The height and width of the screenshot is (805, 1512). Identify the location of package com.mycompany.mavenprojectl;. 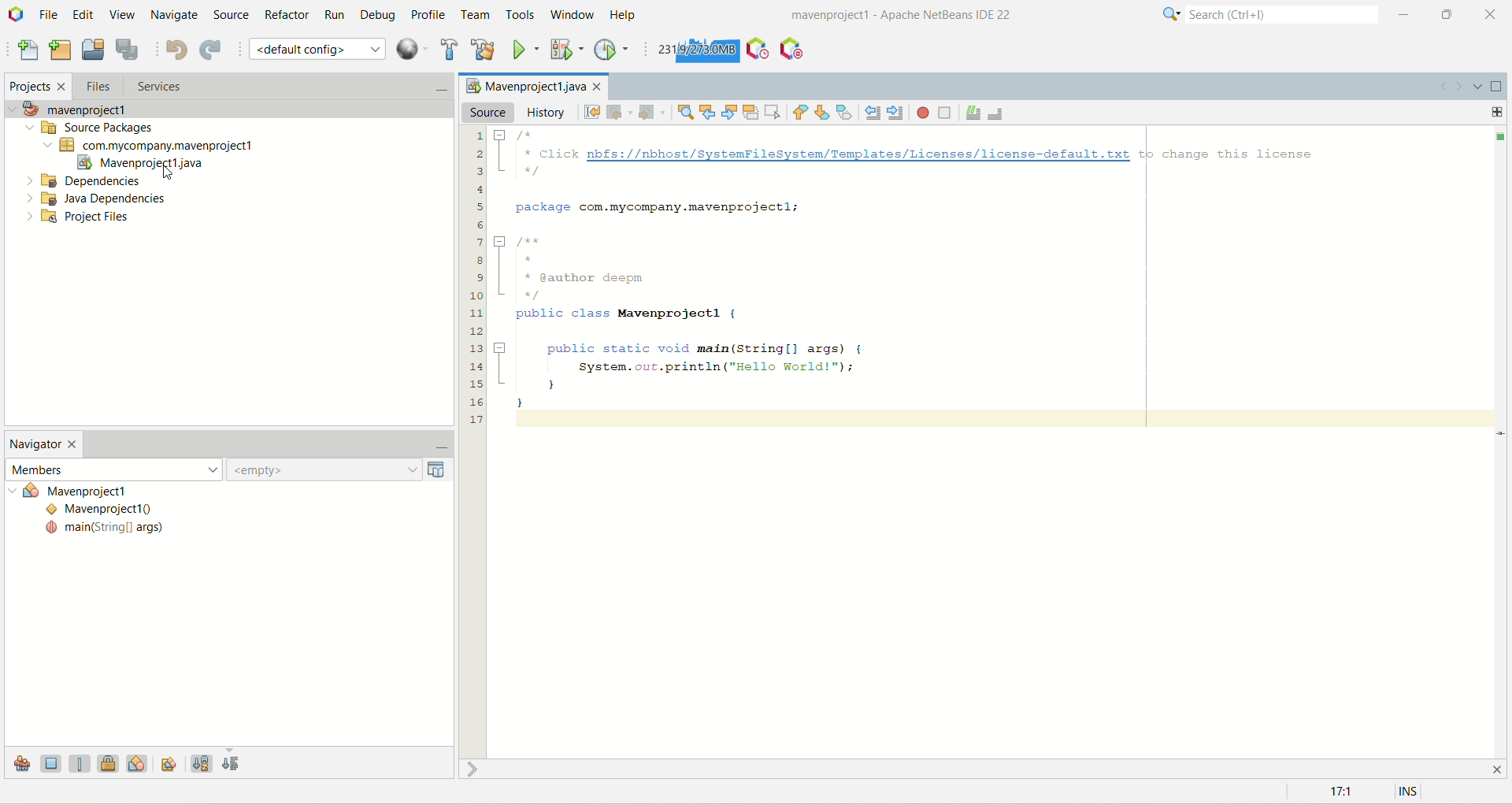
(663, 206).